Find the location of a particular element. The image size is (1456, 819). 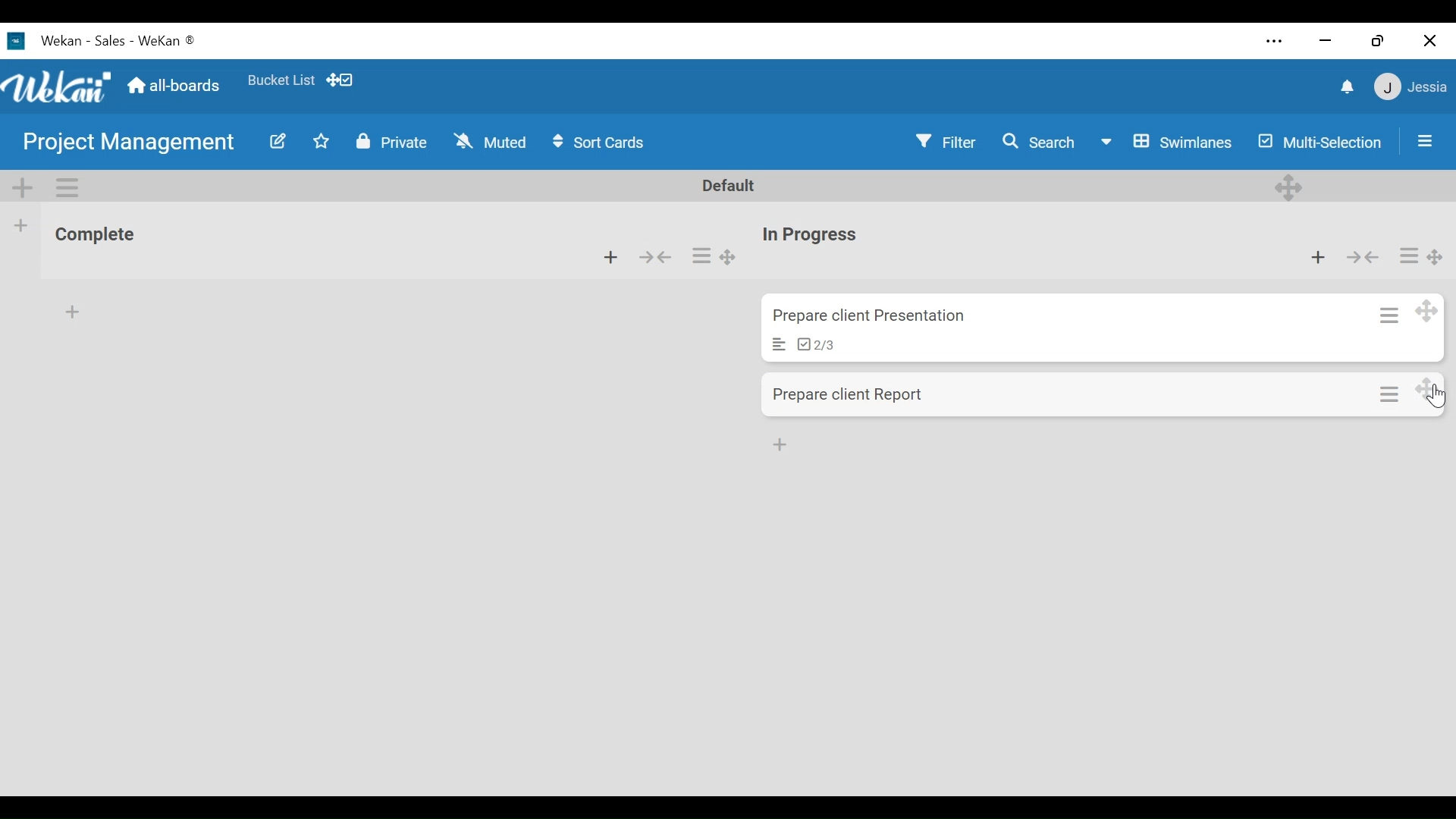

Edit is located at coordinates (279, 141).